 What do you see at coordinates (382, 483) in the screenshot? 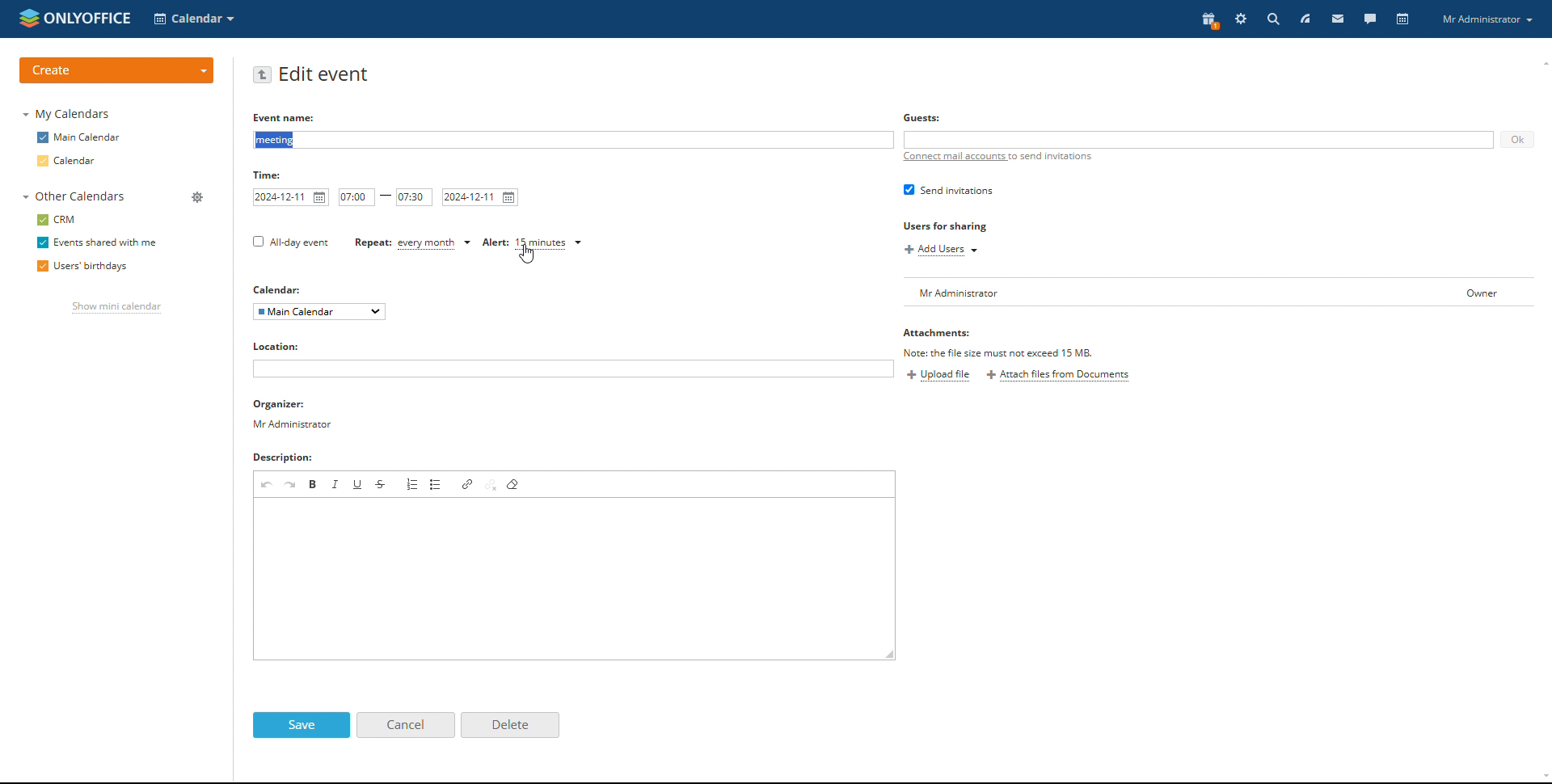
I see `strikethrough` at bounding box center [382, 483].